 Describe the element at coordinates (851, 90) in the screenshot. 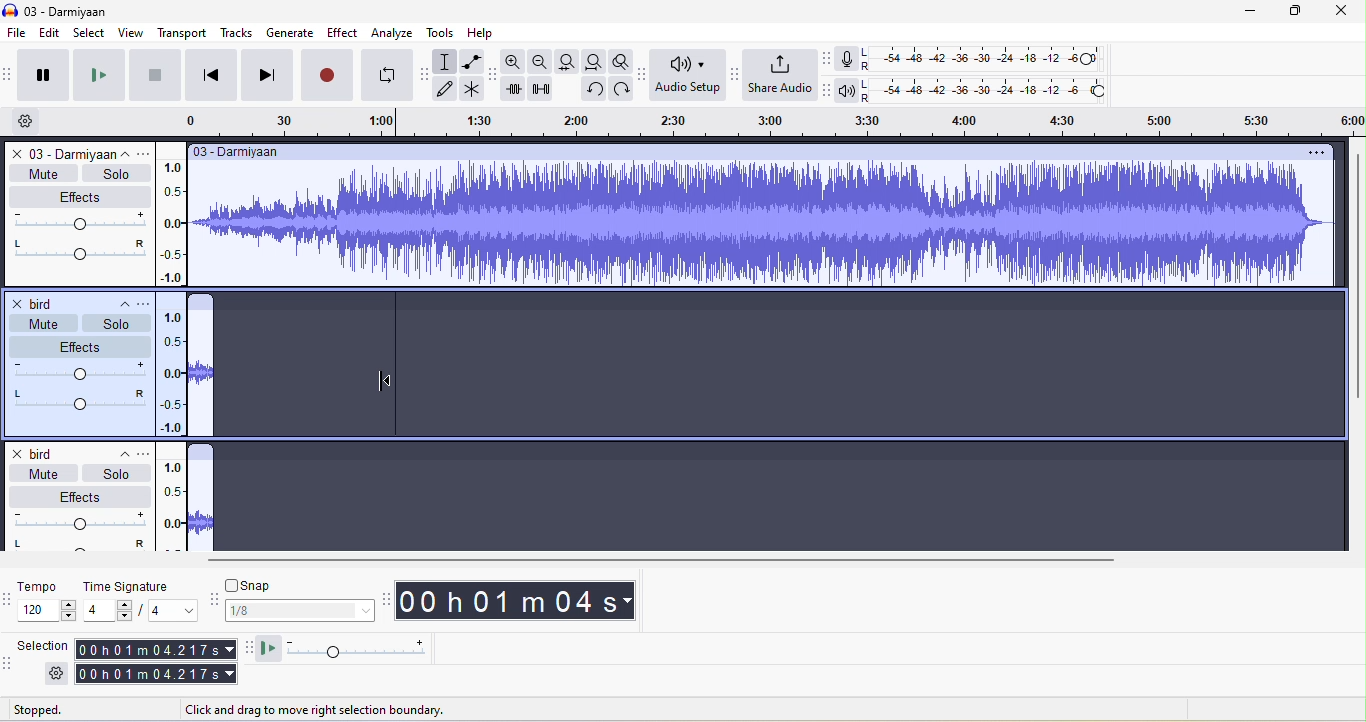

I see `playback meter` at that location.